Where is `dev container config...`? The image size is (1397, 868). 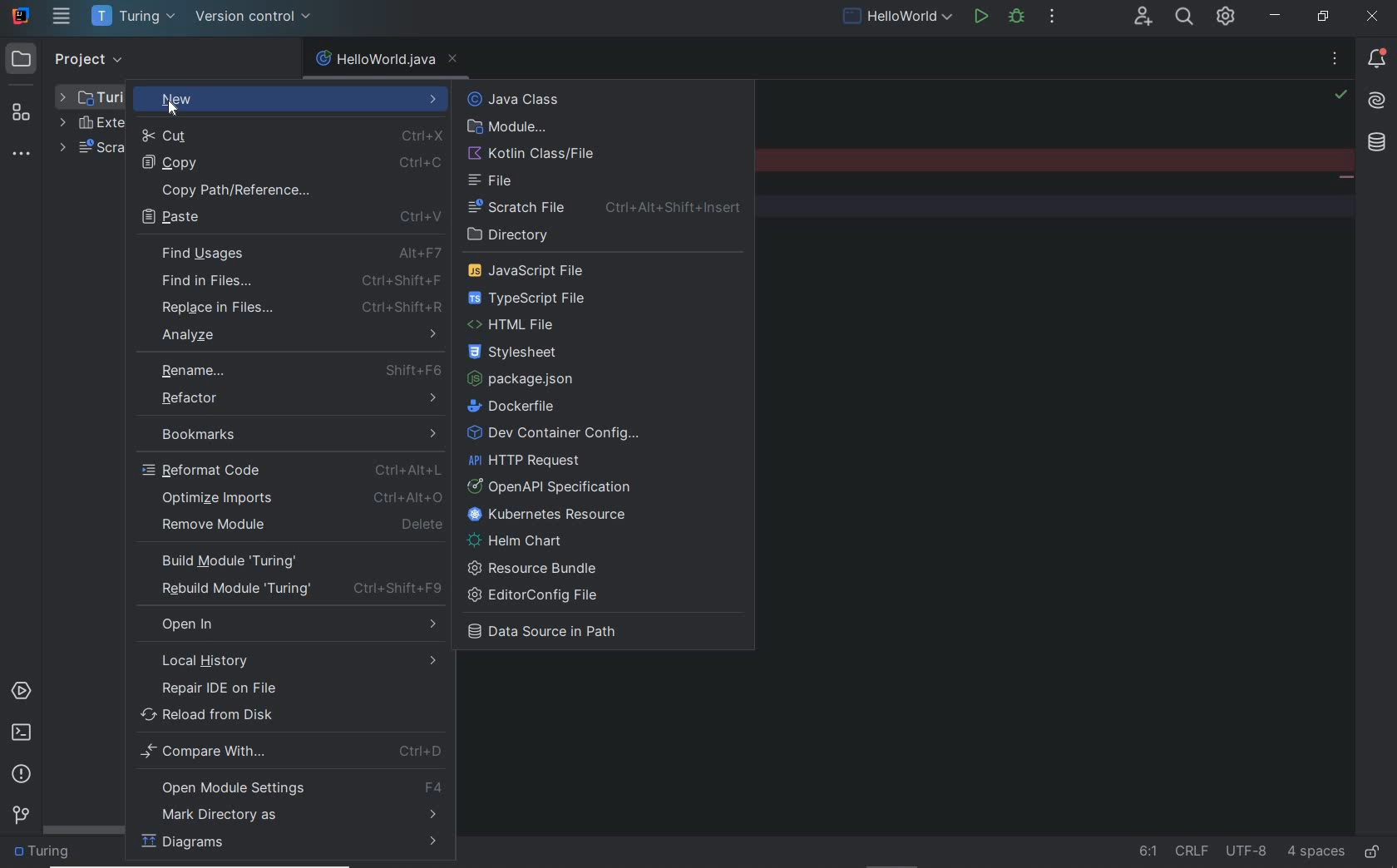
dev container config... is located at coordinates (555, 434).